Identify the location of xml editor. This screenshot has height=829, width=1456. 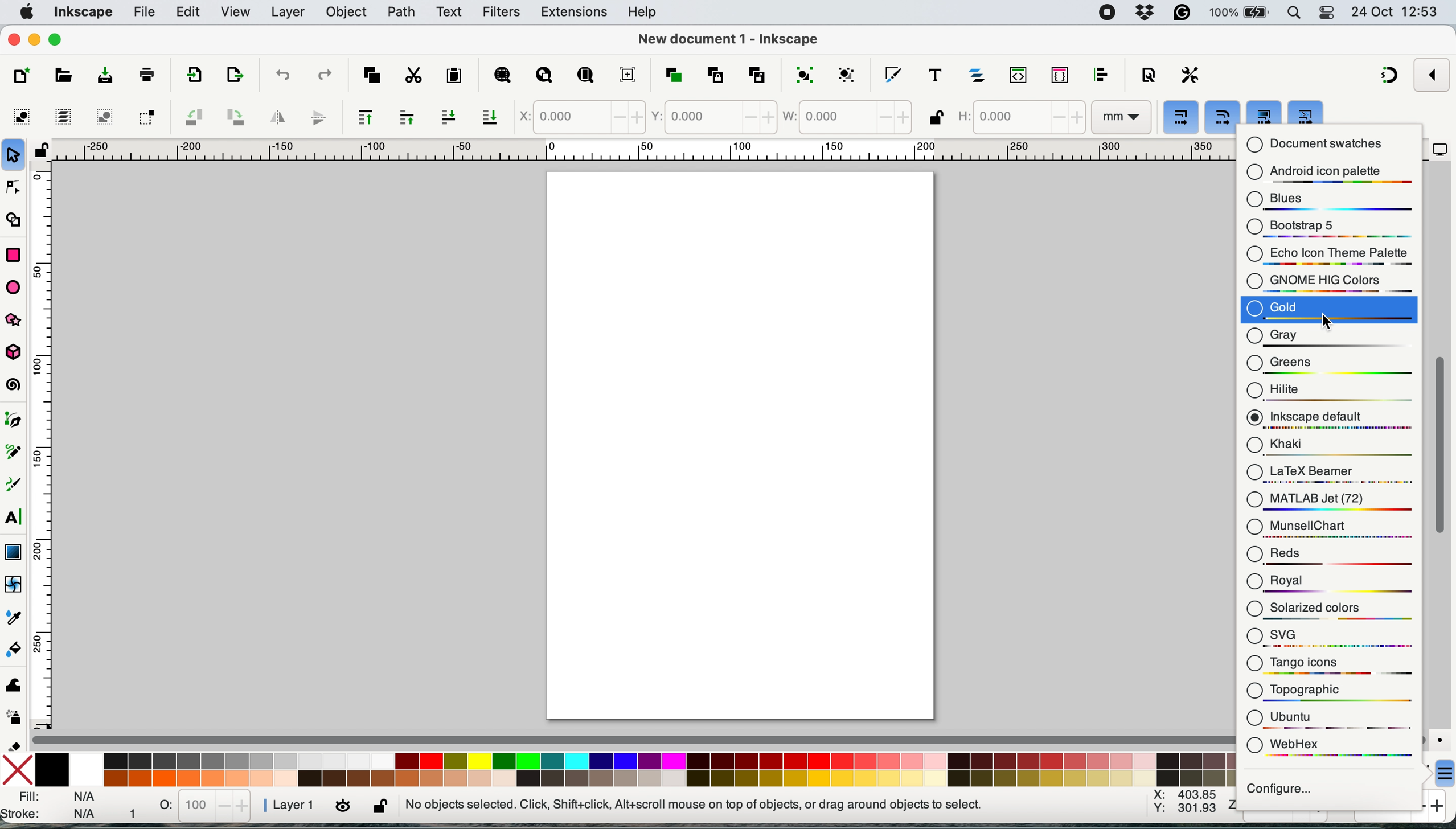
(1023, 75).